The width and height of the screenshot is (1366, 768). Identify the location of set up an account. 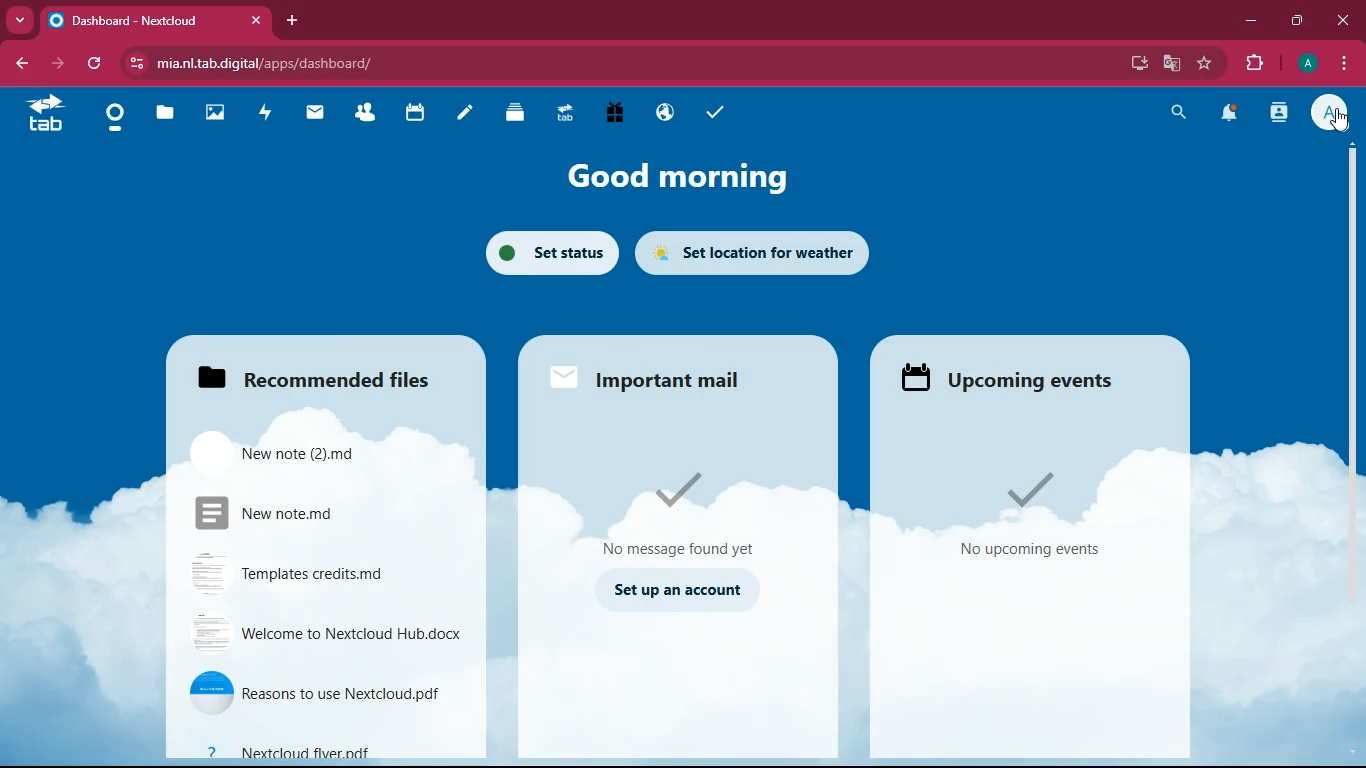
(676, 590).